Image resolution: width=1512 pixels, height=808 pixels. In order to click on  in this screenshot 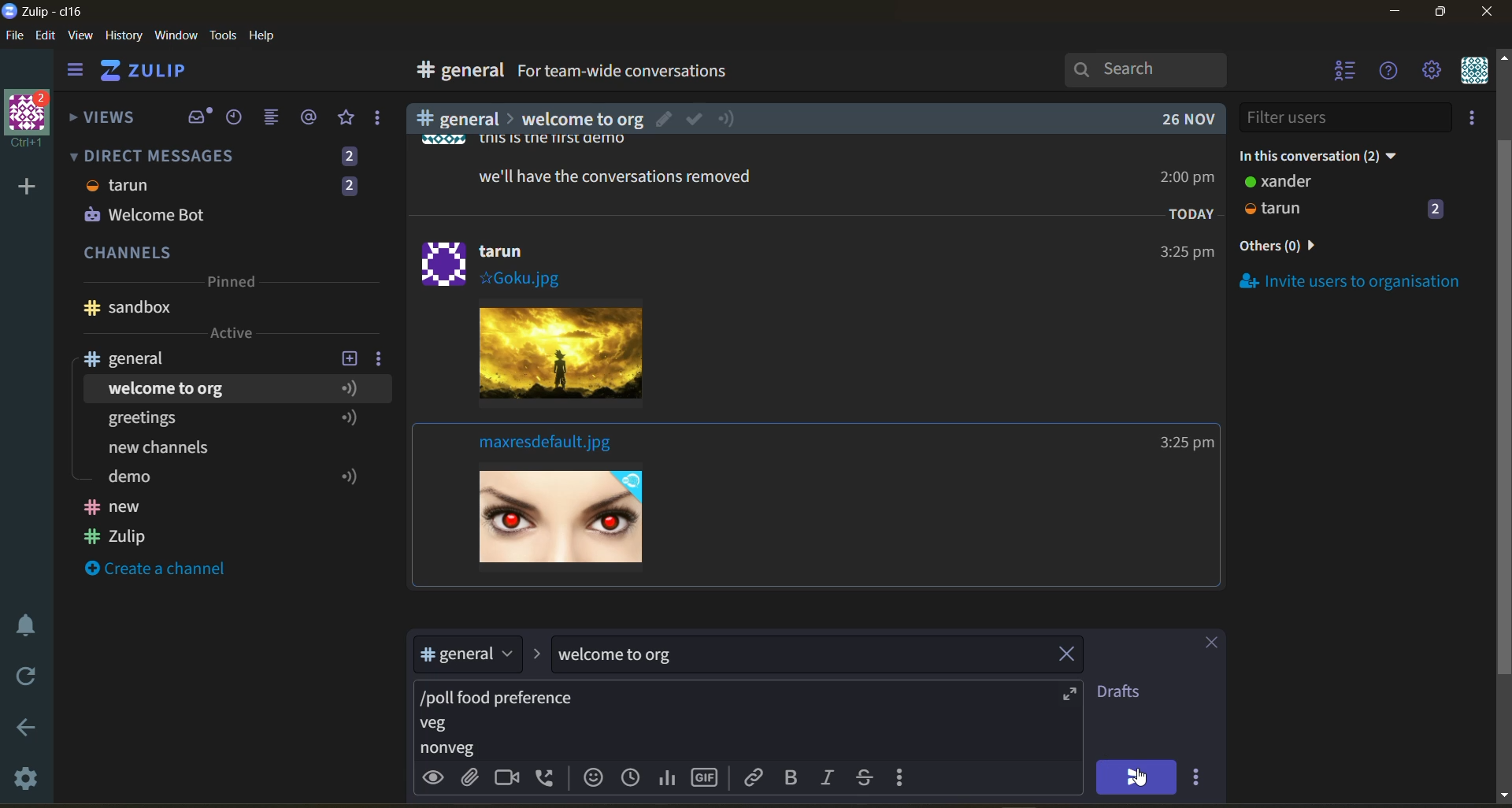, I will do `click(540, 443)`.